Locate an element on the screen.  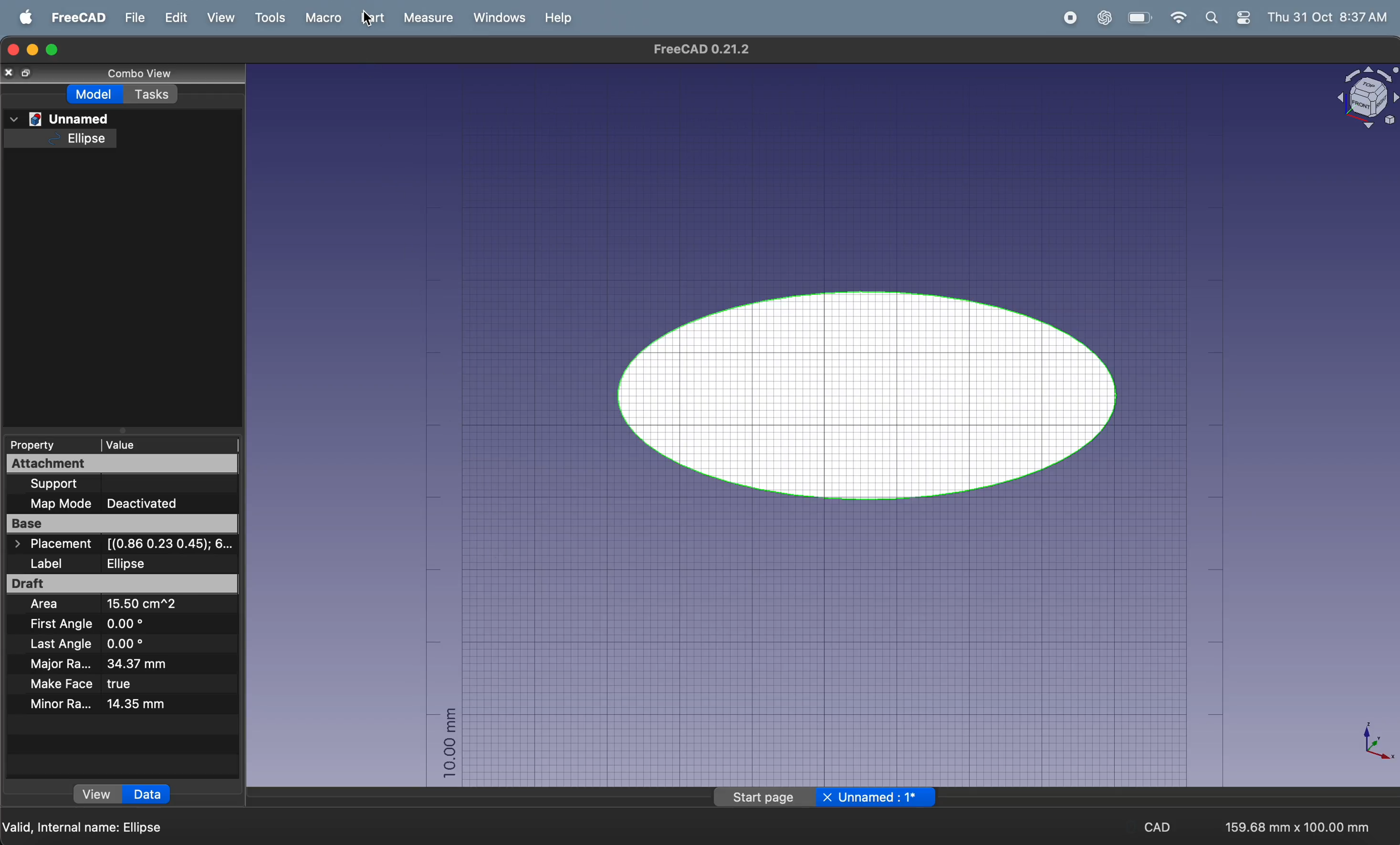
wifi is located at coordinates (1176, 18).